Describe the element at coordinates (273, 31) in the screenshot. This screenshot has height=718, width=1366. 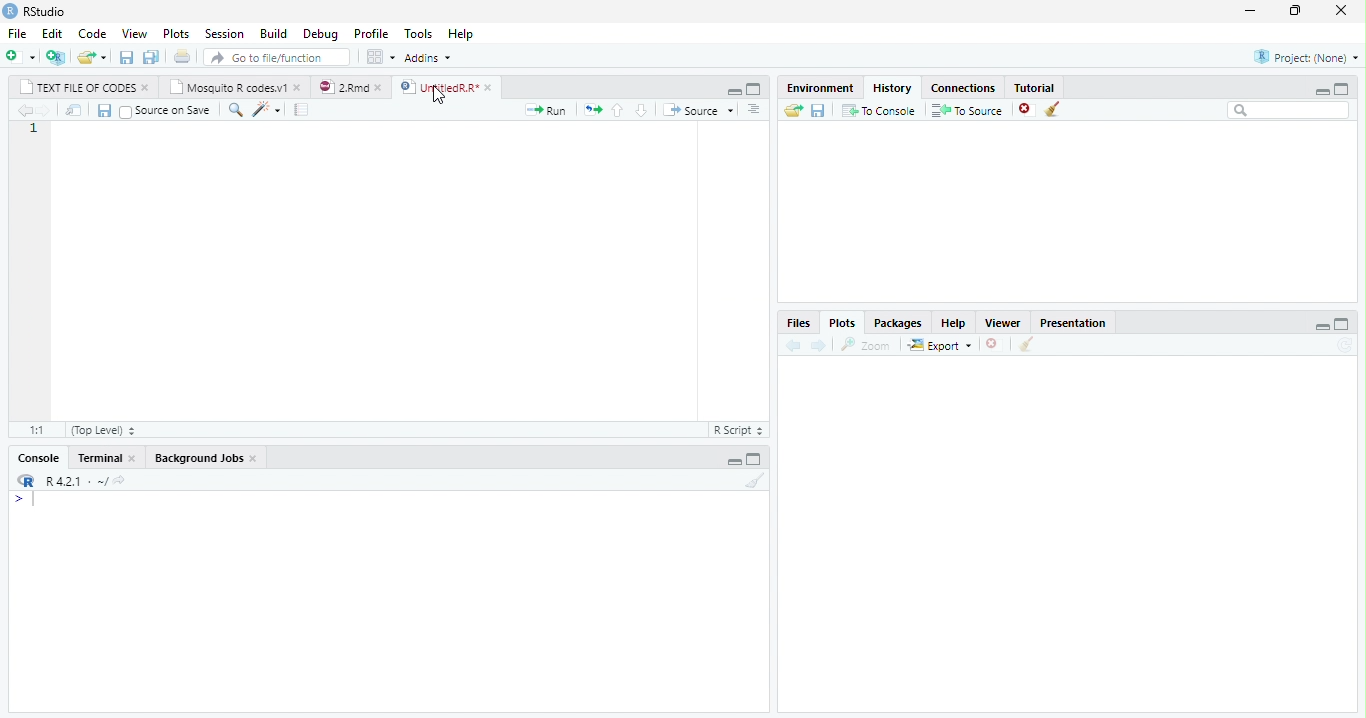
I see `build` at that location.